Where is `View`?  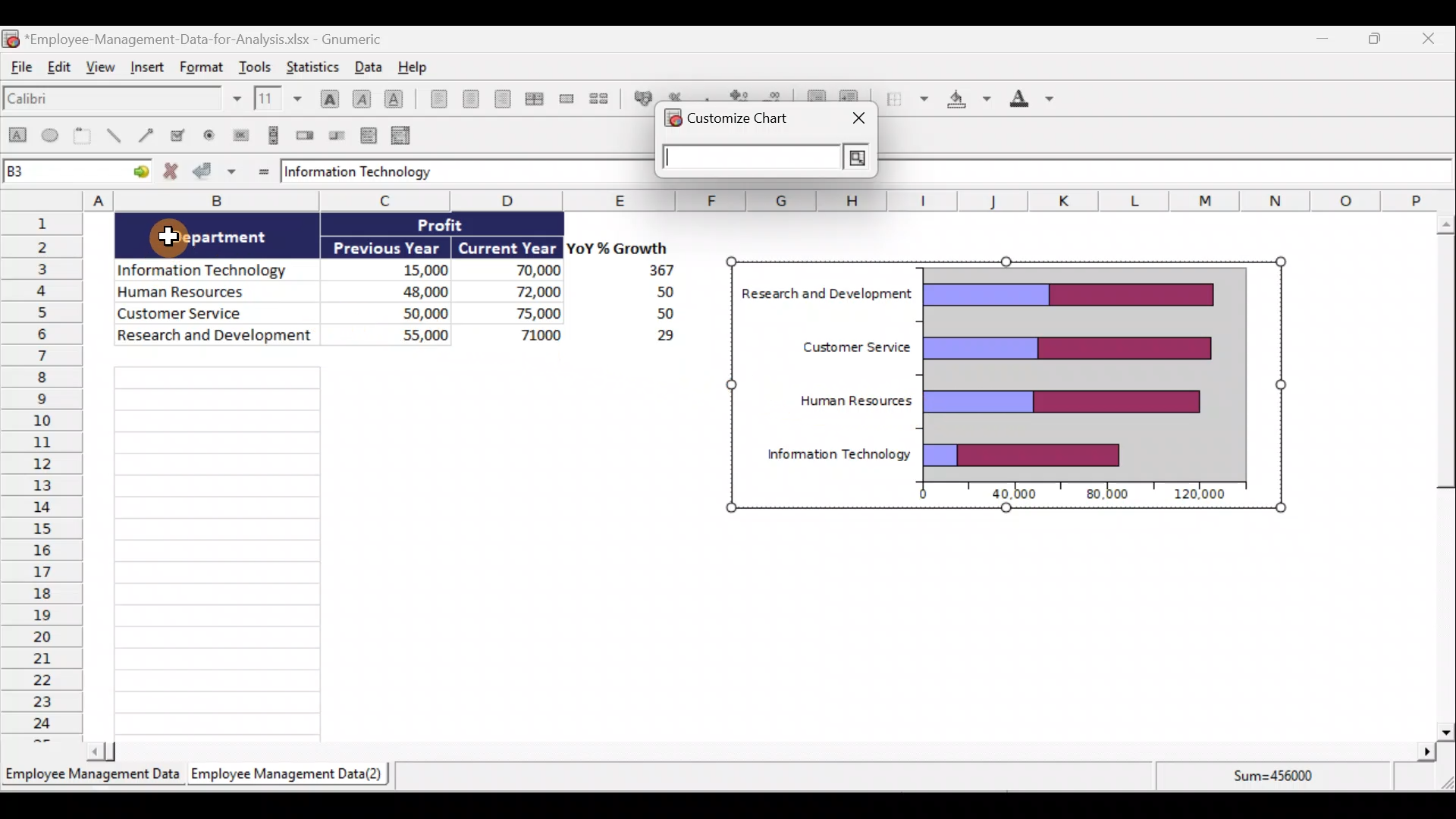
View is located at coordinates (102, 73).